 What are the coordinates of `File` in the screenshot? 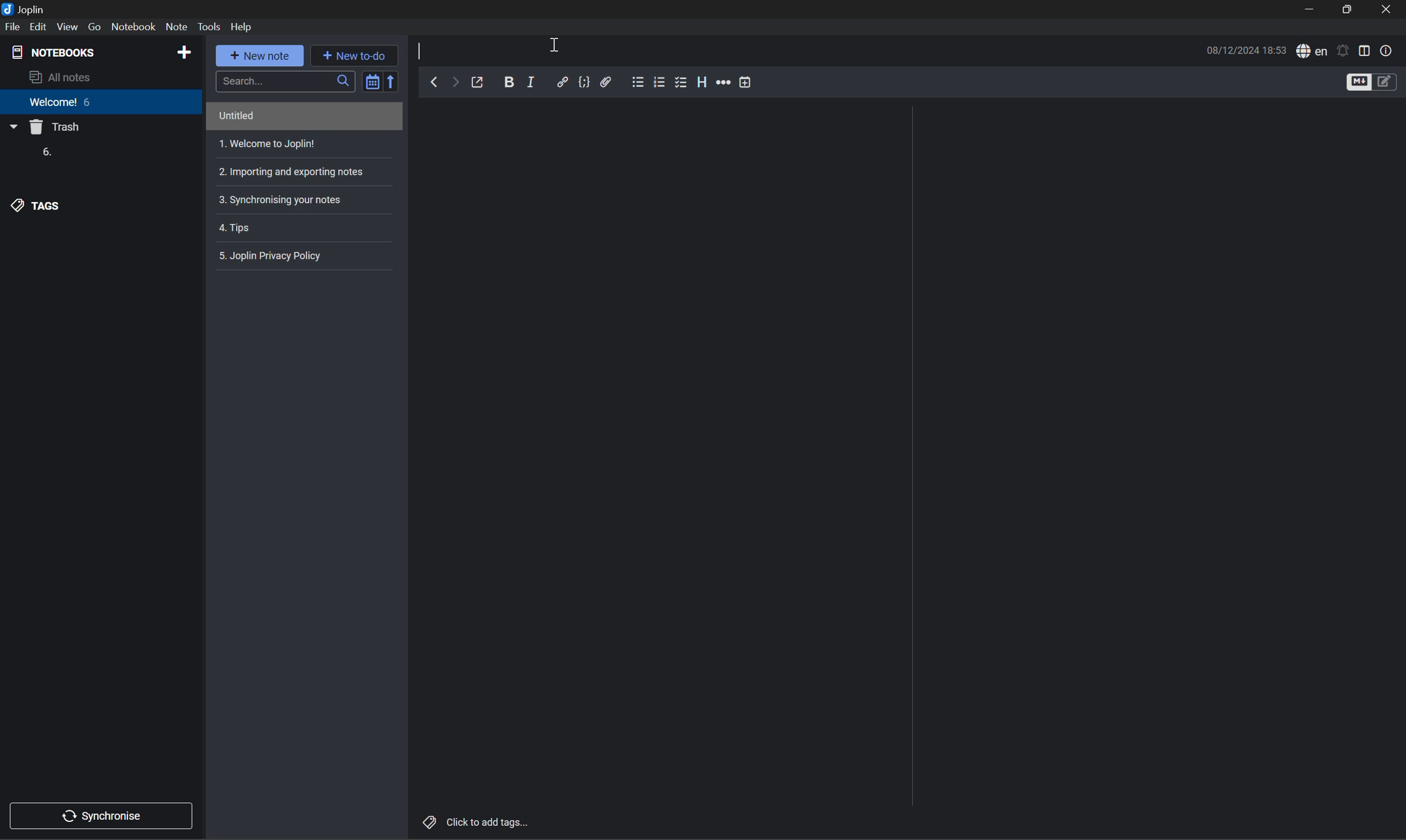 It's located at (12, 27).